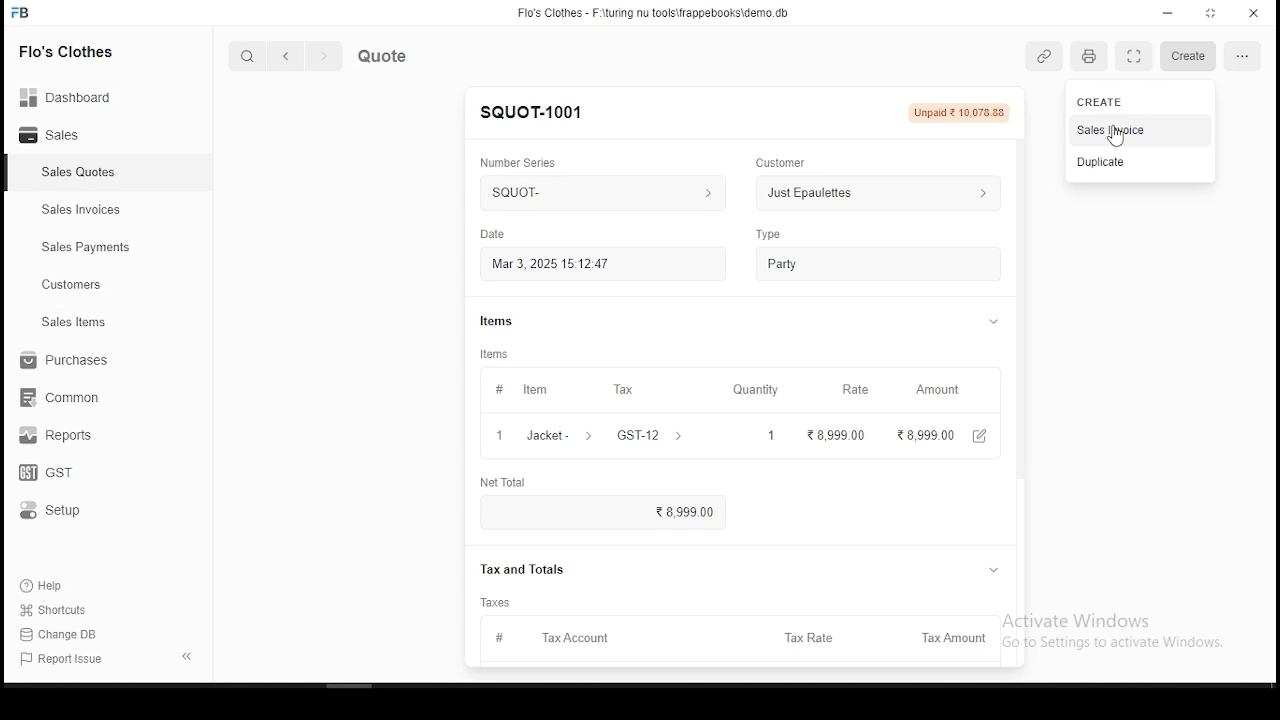 The image size is (1280, 720). Describe the element at coordinates (64, 362) in the screenshot. I see `purchases` at that location.